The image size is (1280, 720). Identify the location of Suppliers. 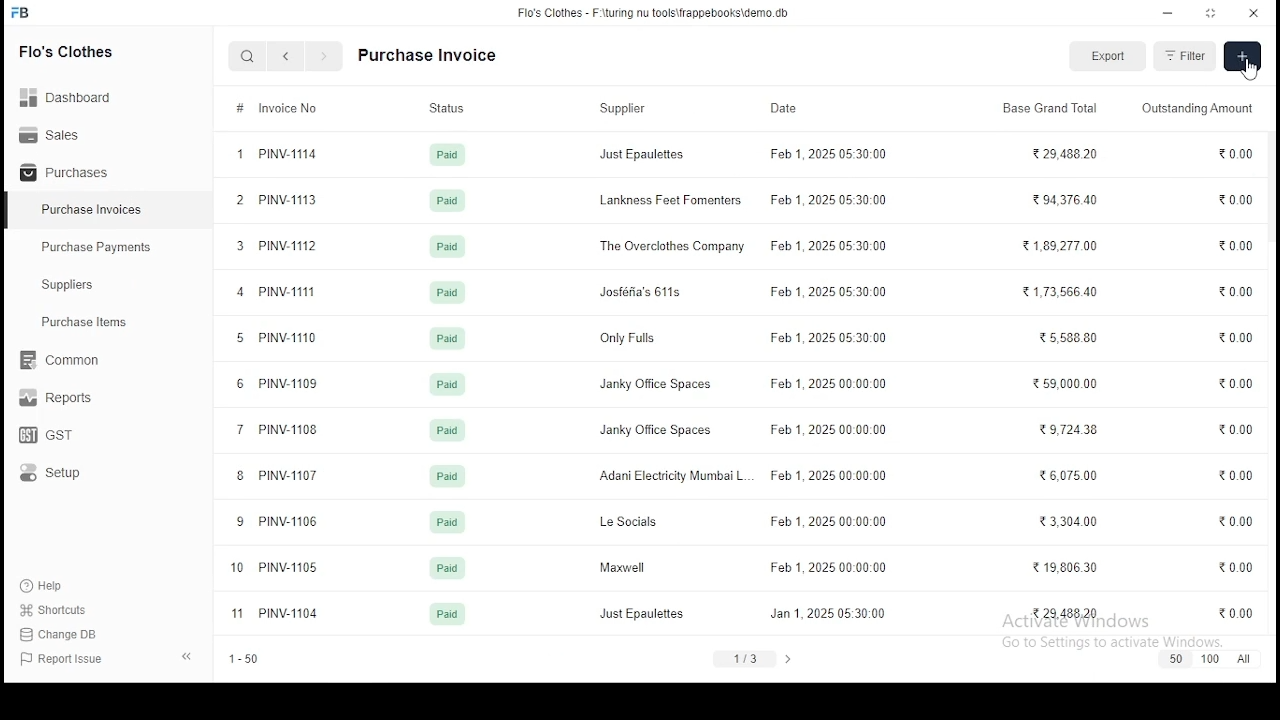
(72, 285).